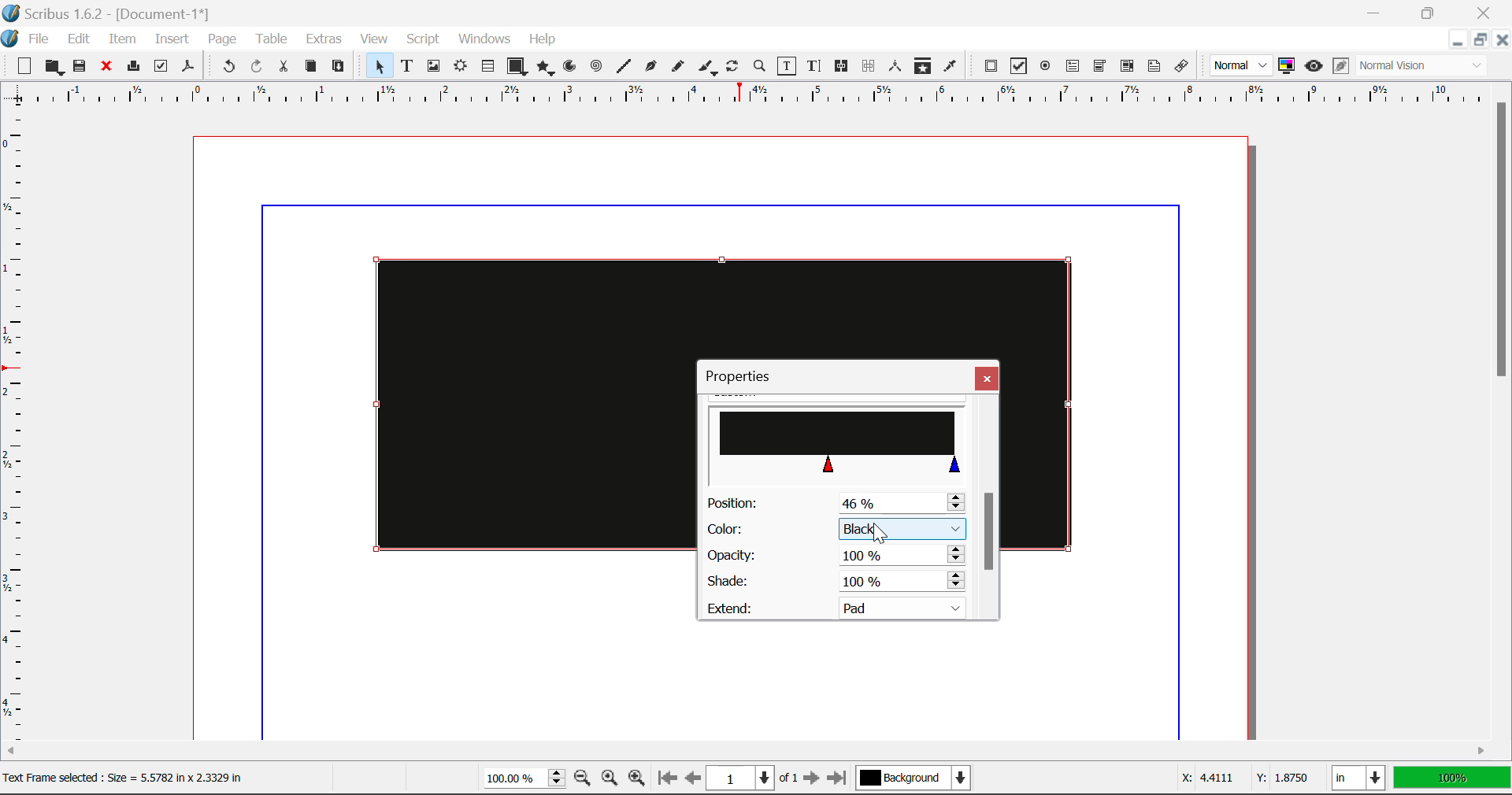 The height and width of the screenshot is (795, 1512). What do you see at coordinates (817, 66) in the screenshot?
I see `Edit Text with Story Editor` at bounding box center [817, 66].